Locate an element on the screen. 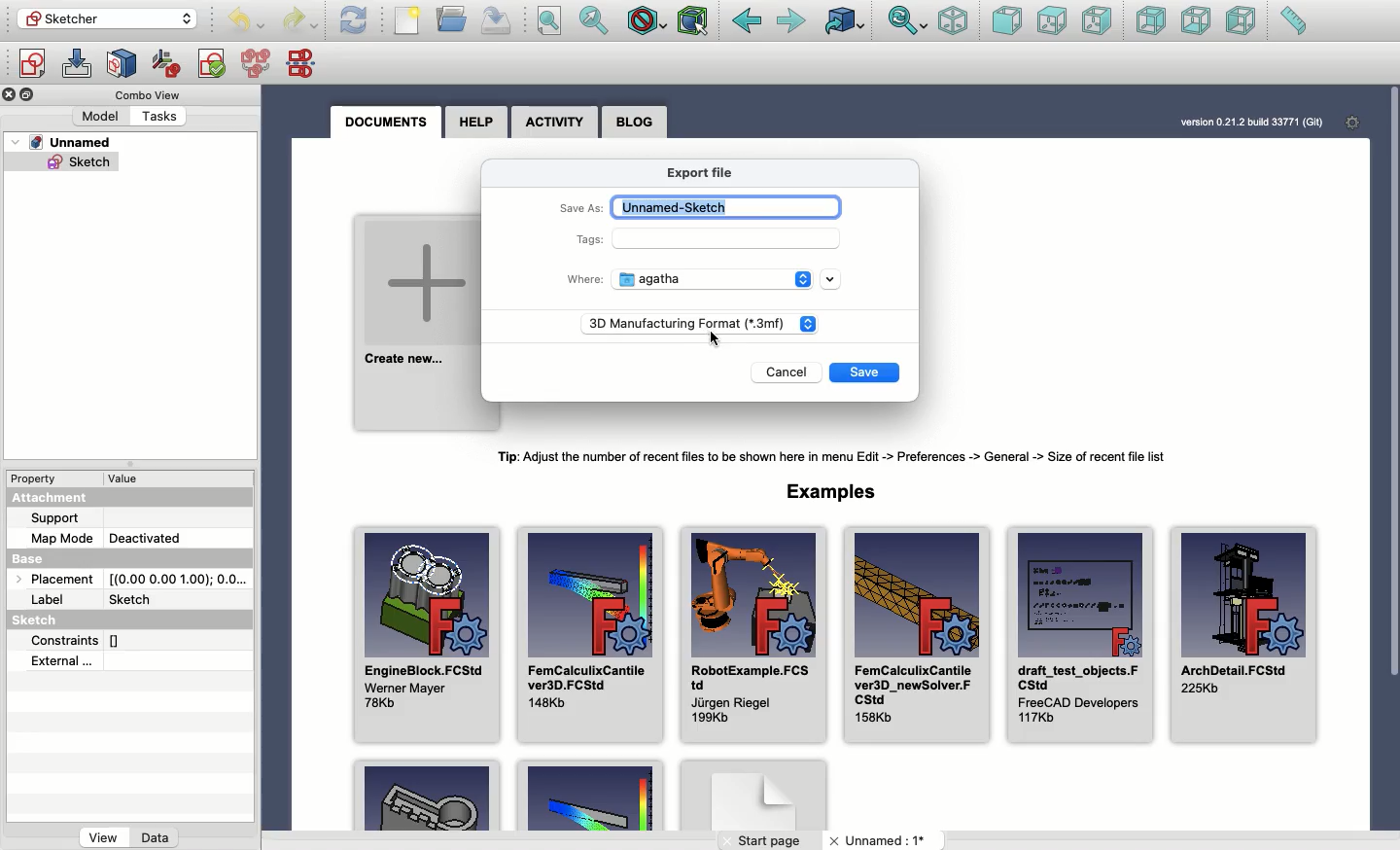  Export file is located at coordinates (713, 174).